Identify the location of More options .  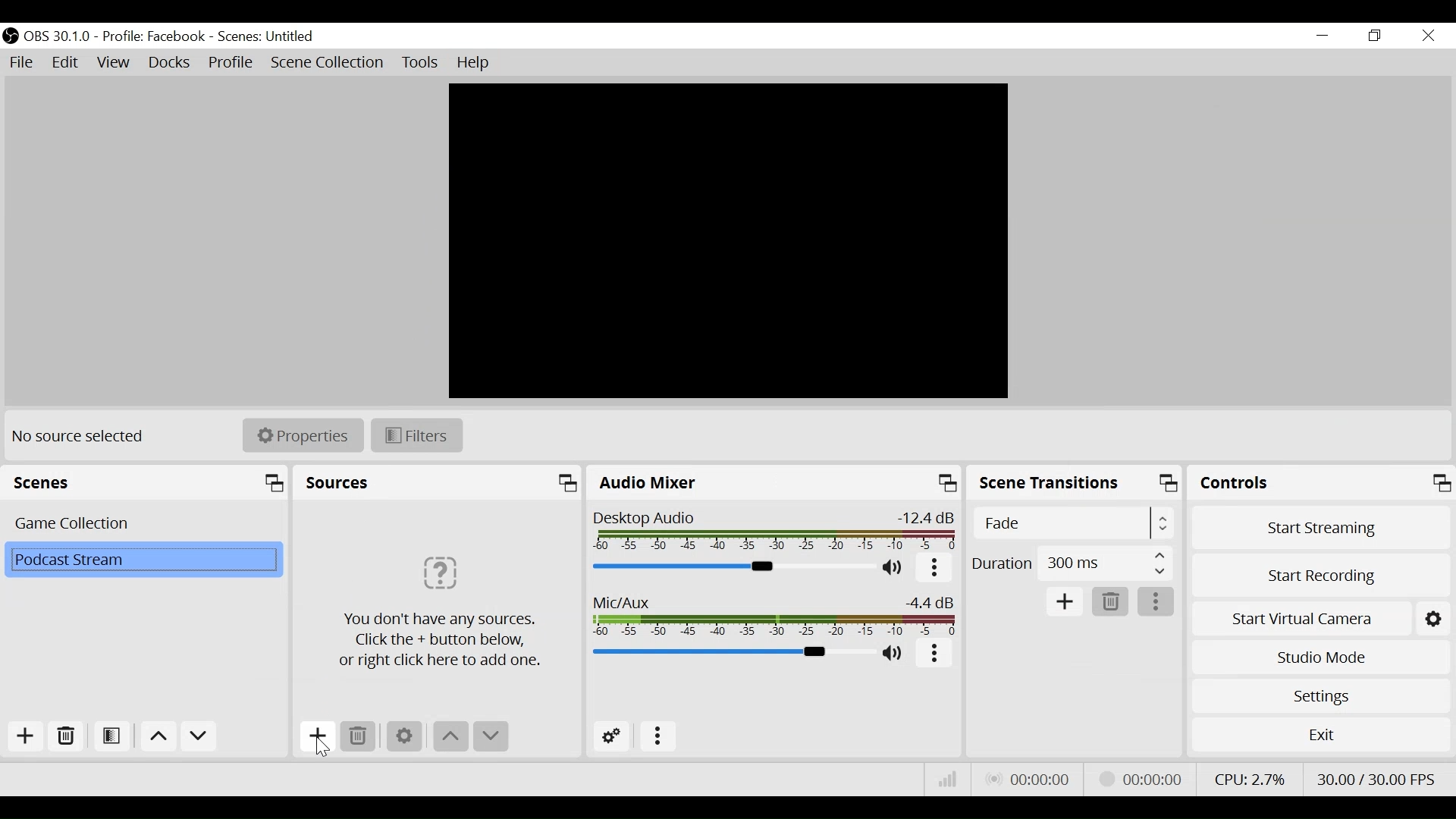
(934, 571).